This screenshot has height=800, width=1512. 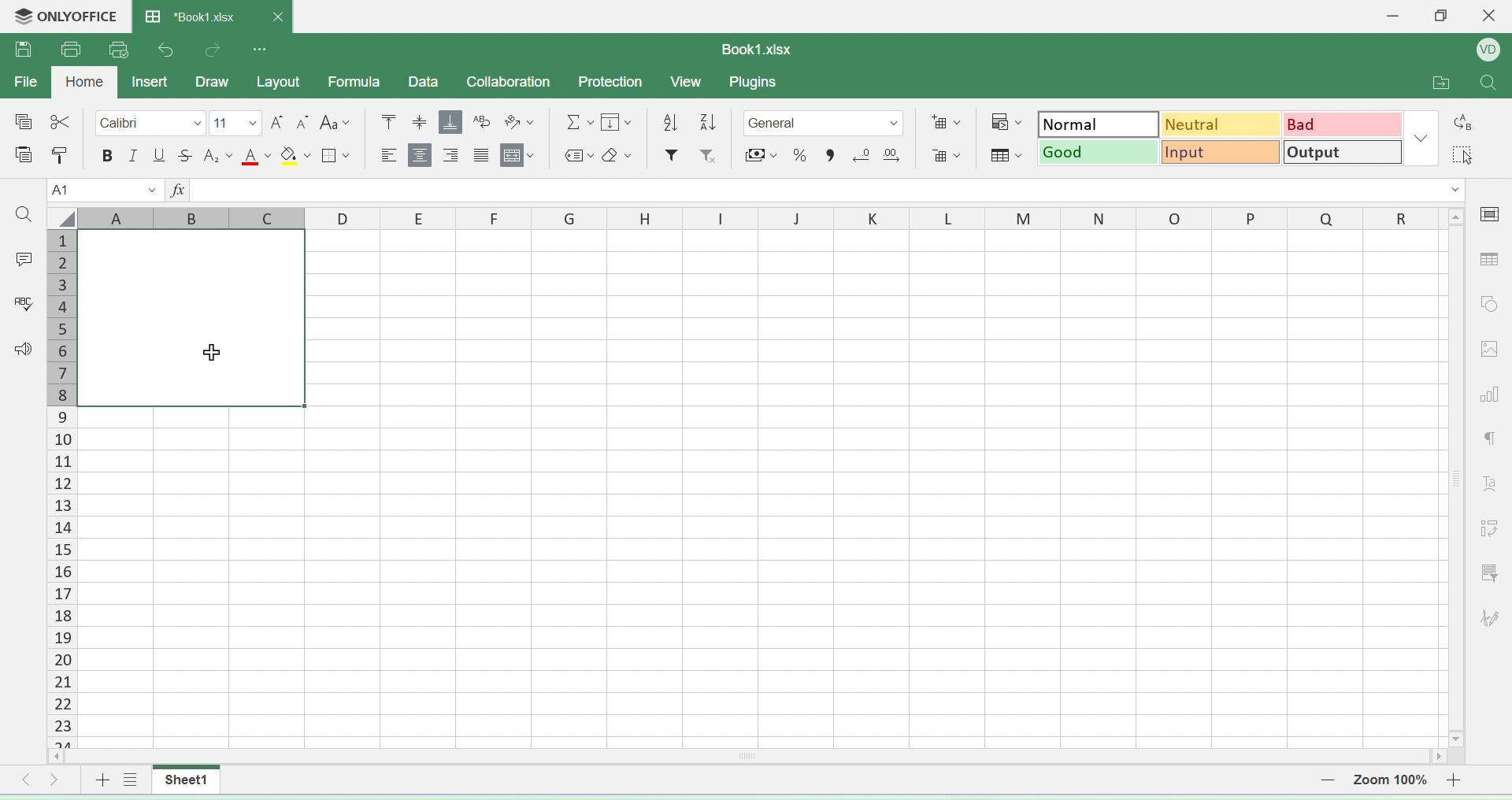 What do you see at coordinates (279, 123) in the screenshot?
I see `increase font` at bounding box center [279, 123].